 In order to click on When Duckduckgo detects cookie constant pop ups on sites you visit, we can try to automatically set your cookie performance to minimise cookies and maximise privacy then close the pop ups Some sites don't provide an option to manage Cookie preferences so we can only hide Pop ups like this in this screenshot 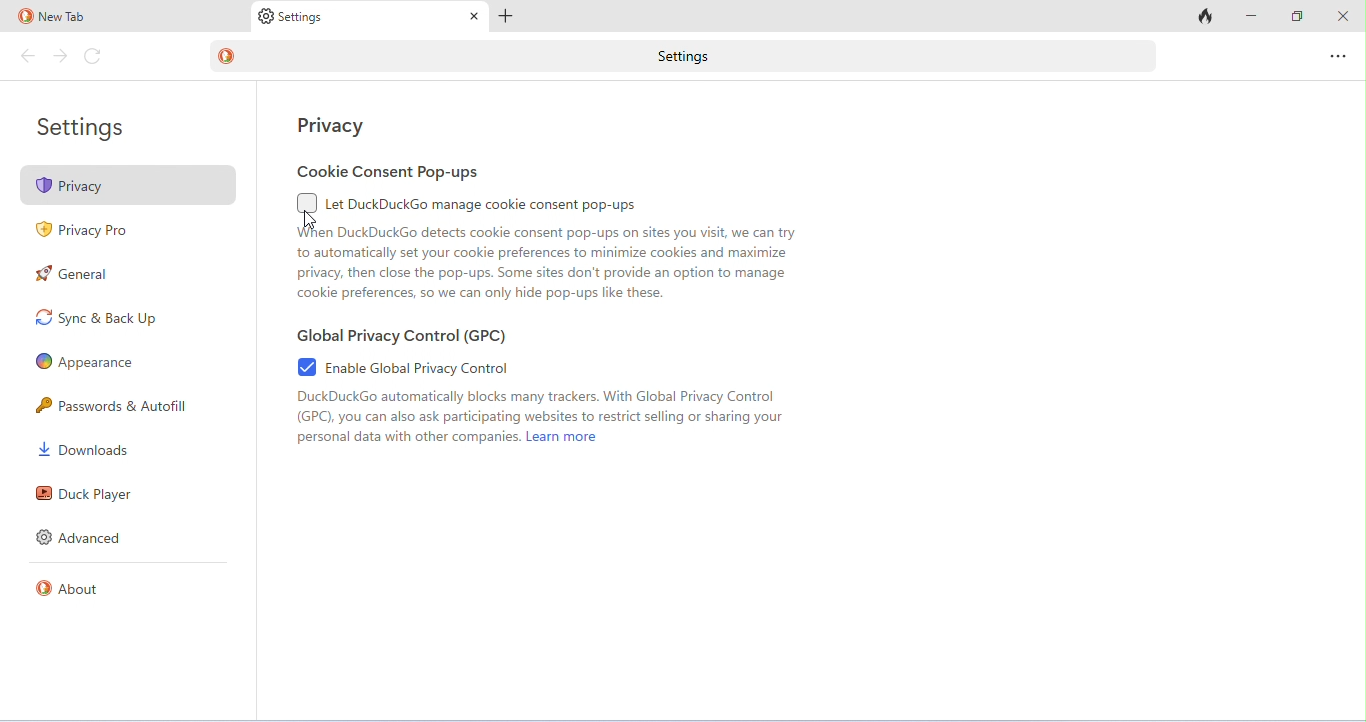, I will do `click(546, 265)`.